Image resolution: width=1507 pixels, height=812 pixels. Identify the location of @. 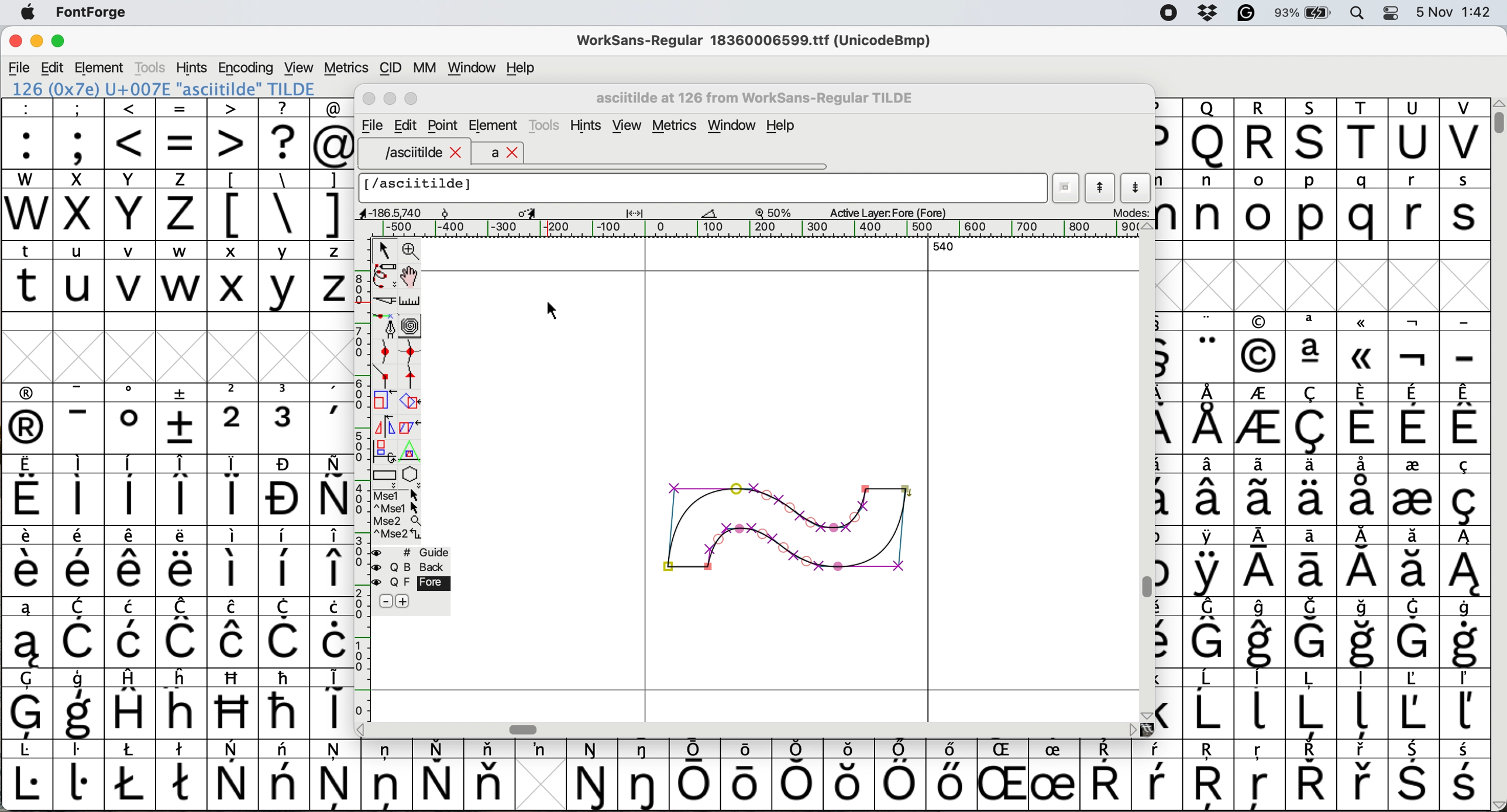
(333, 134).